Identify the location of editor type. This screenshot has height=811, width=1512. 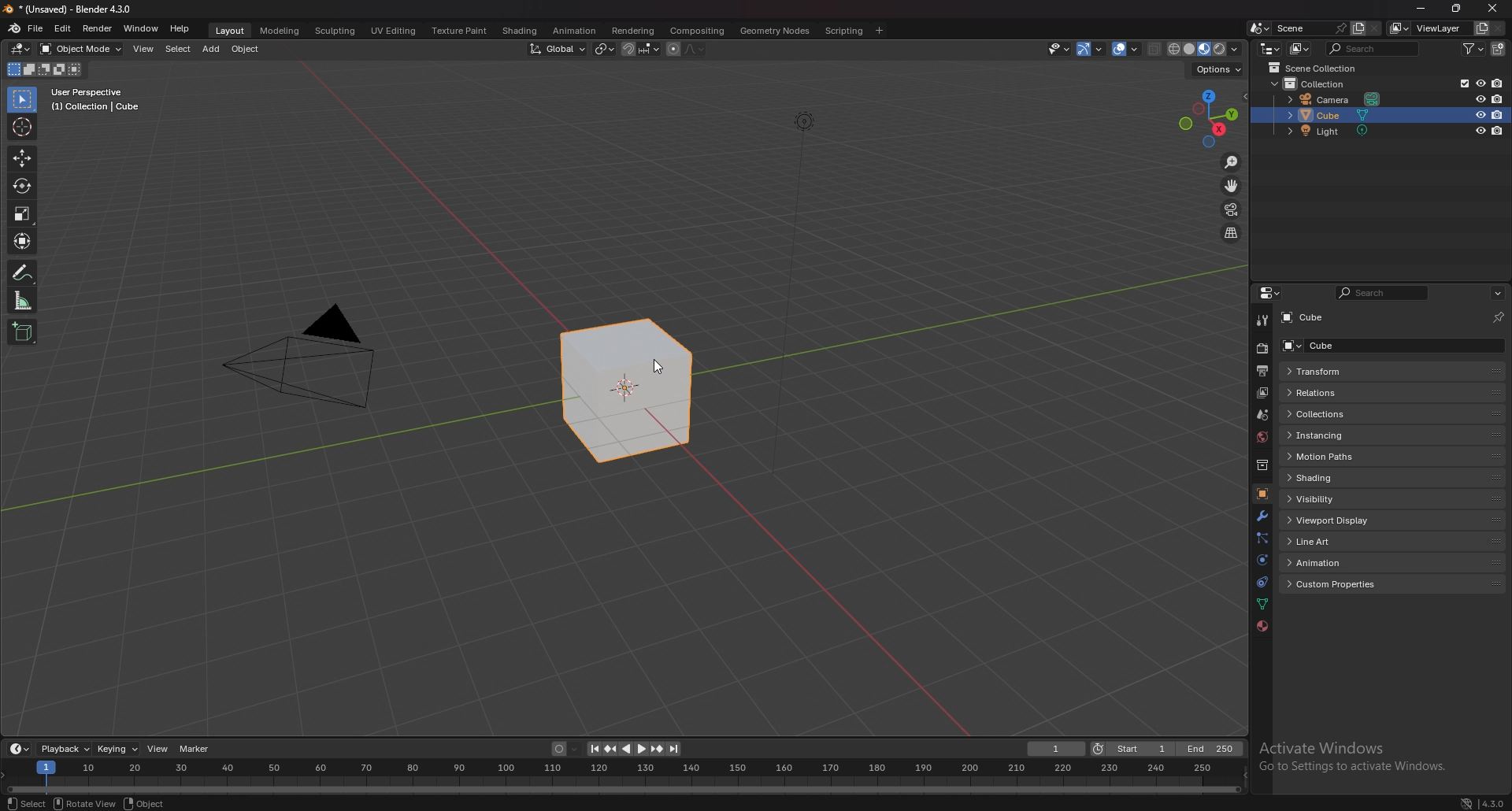
(1268, 293).